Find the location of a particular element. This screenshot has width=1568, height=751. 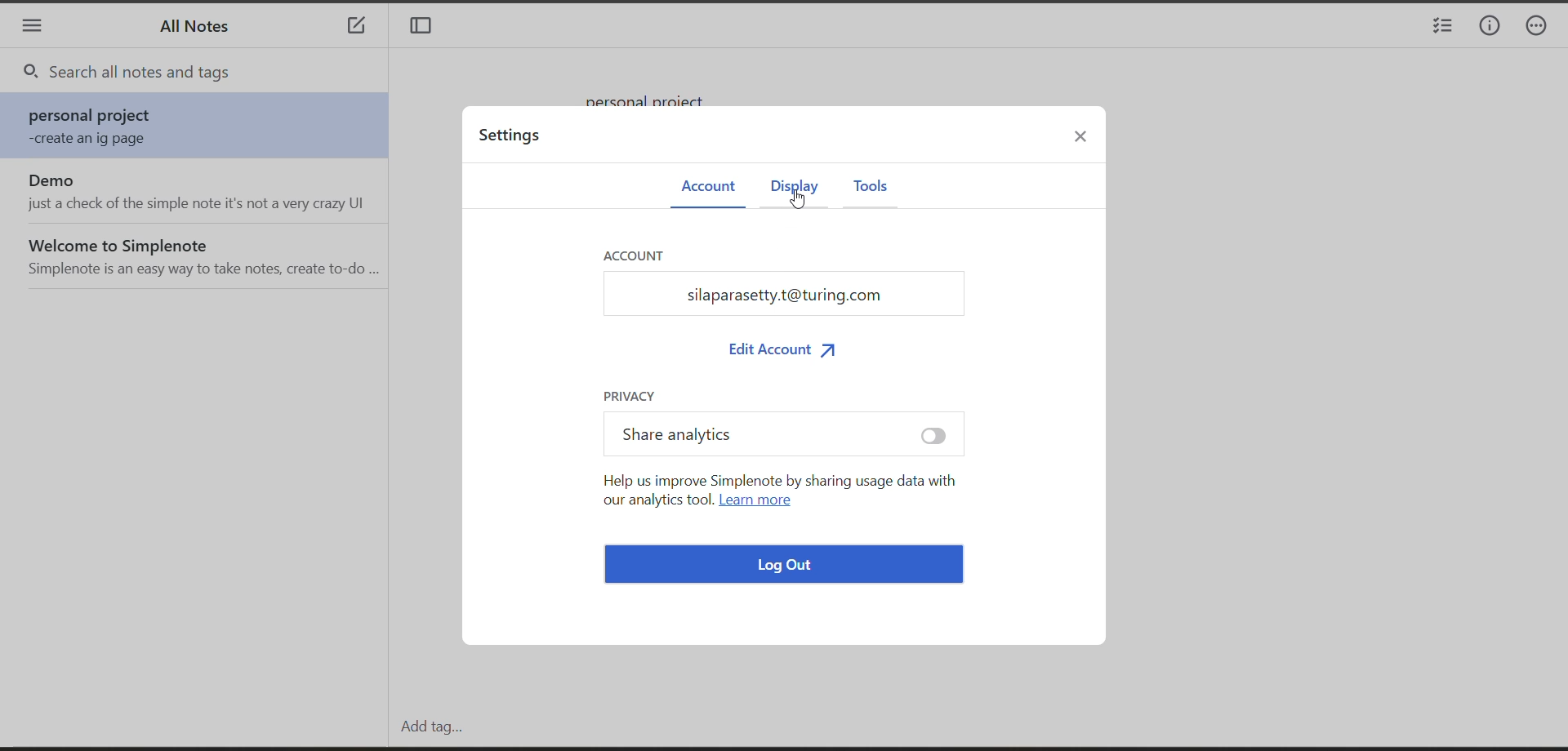

new note is located at coordinates (356, 28).